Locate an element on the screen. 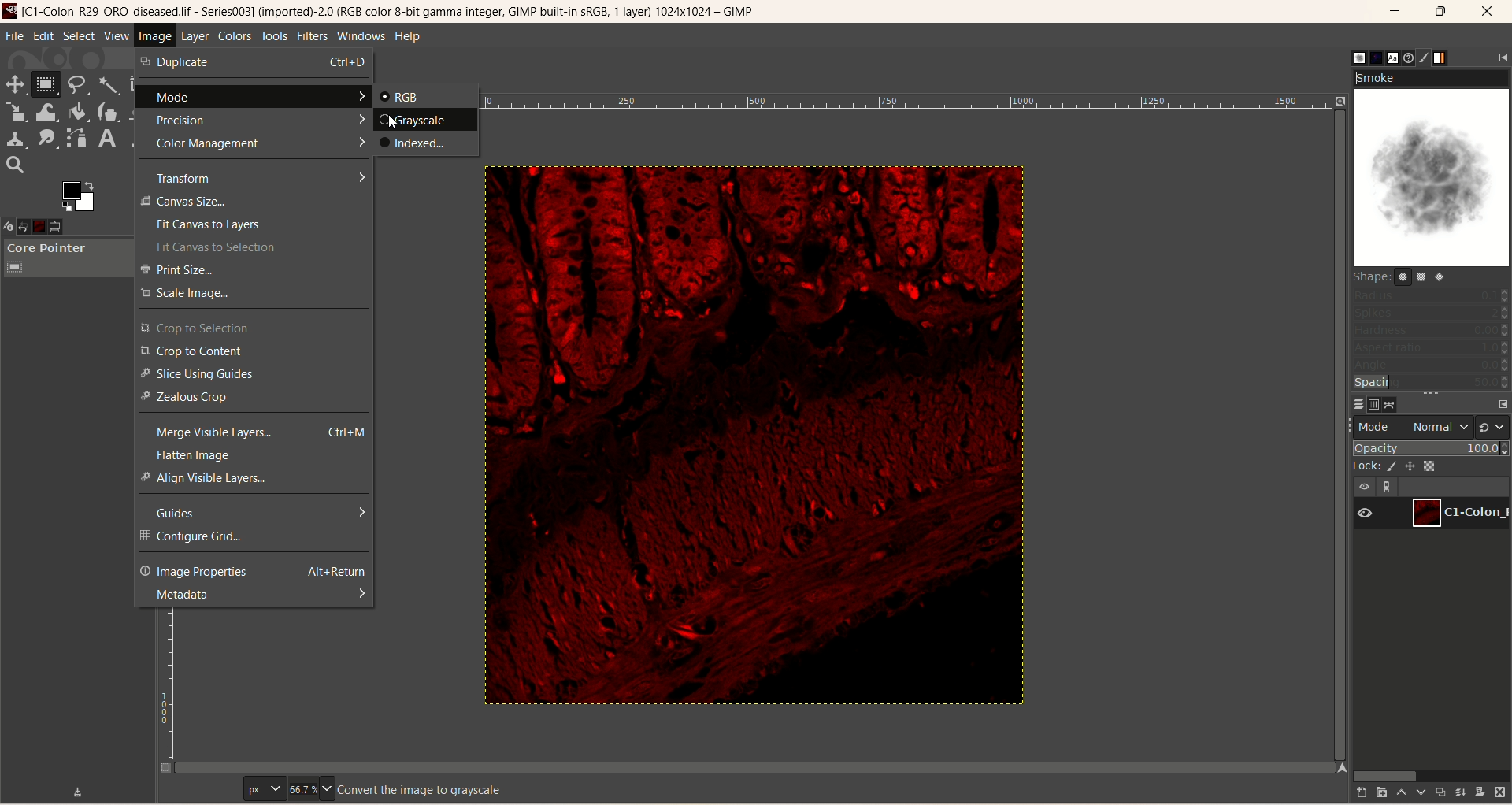 The height and width of the screenshot is (805, 1512). smoke is located at coordinates (1432, 165).